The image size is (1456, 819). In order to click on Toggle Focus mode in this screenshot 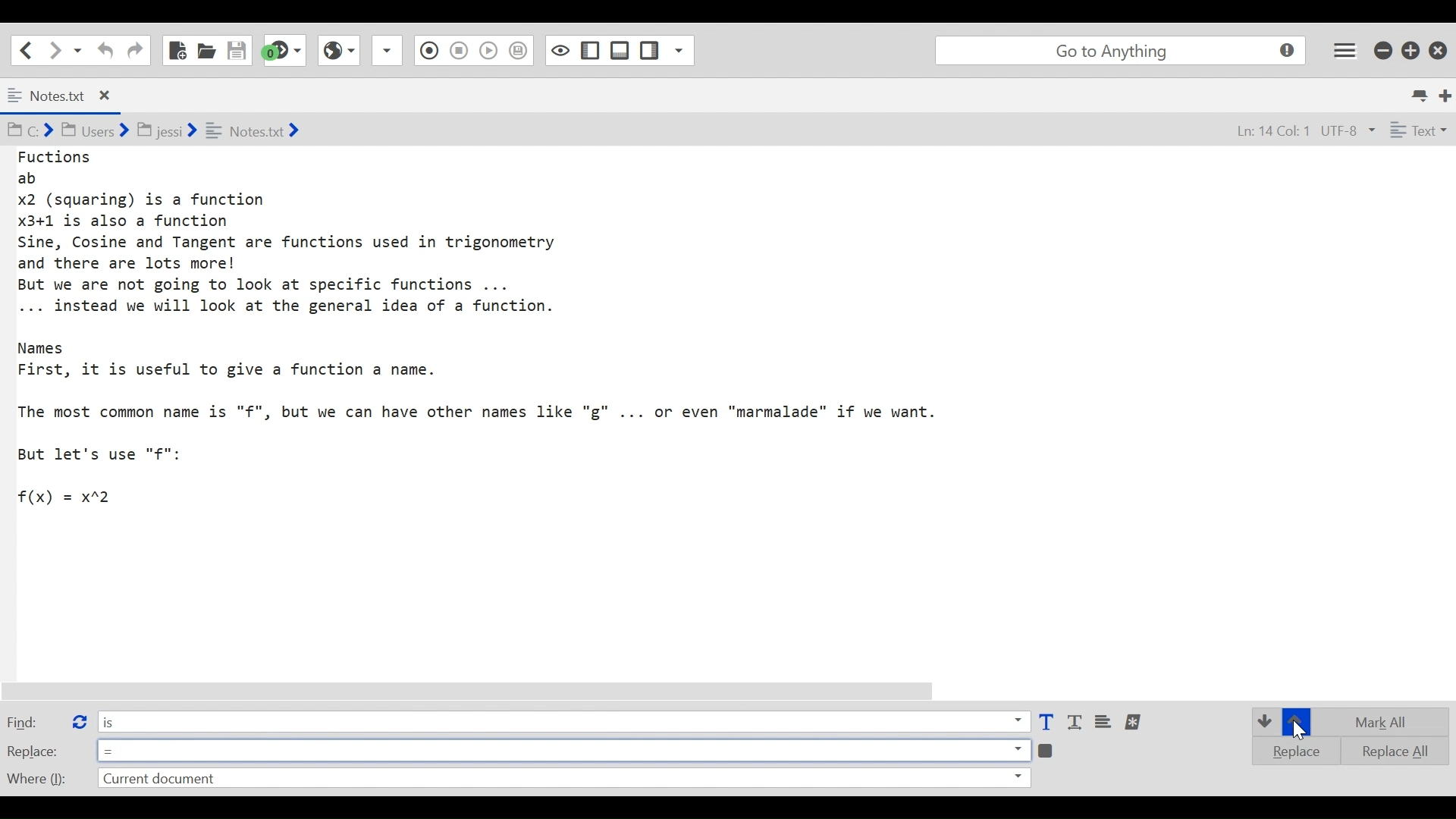, I will do `click(520, 51)`.